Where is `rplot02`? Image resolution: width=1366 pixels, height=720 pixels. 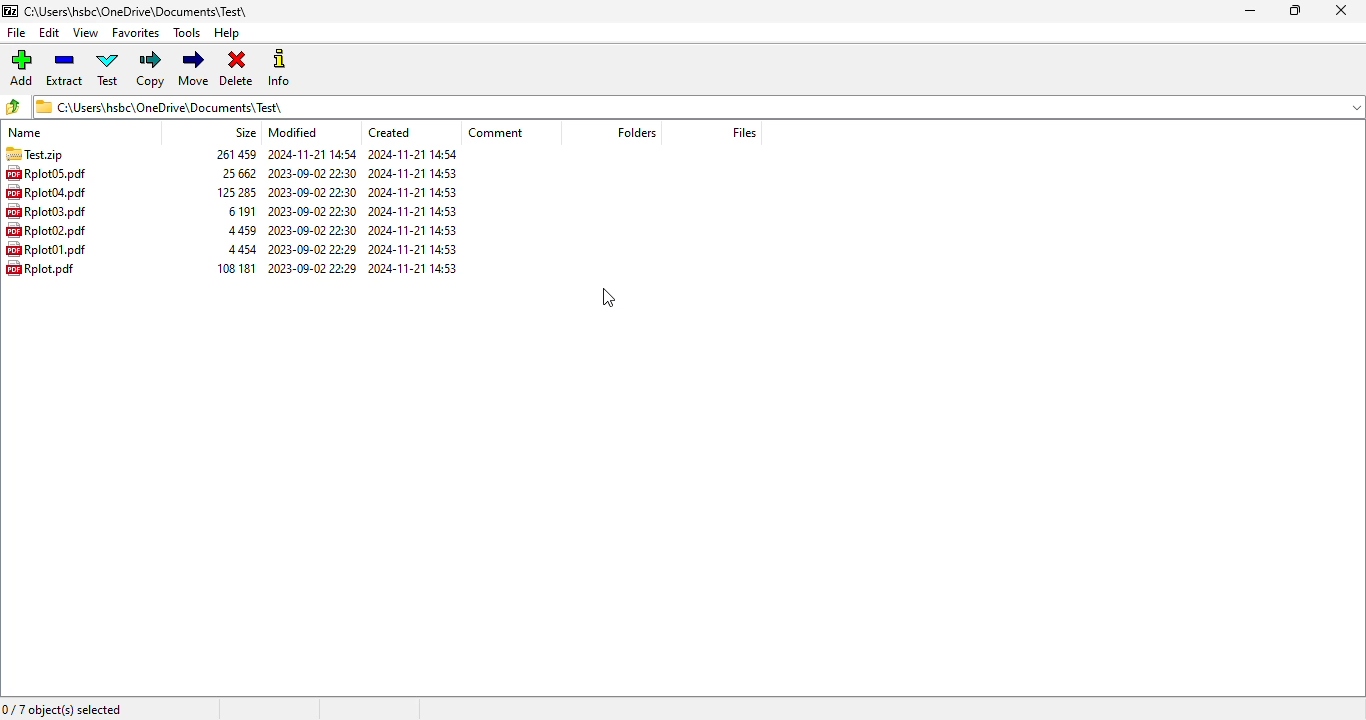 rplot02 is located at coordinates (46, 229).